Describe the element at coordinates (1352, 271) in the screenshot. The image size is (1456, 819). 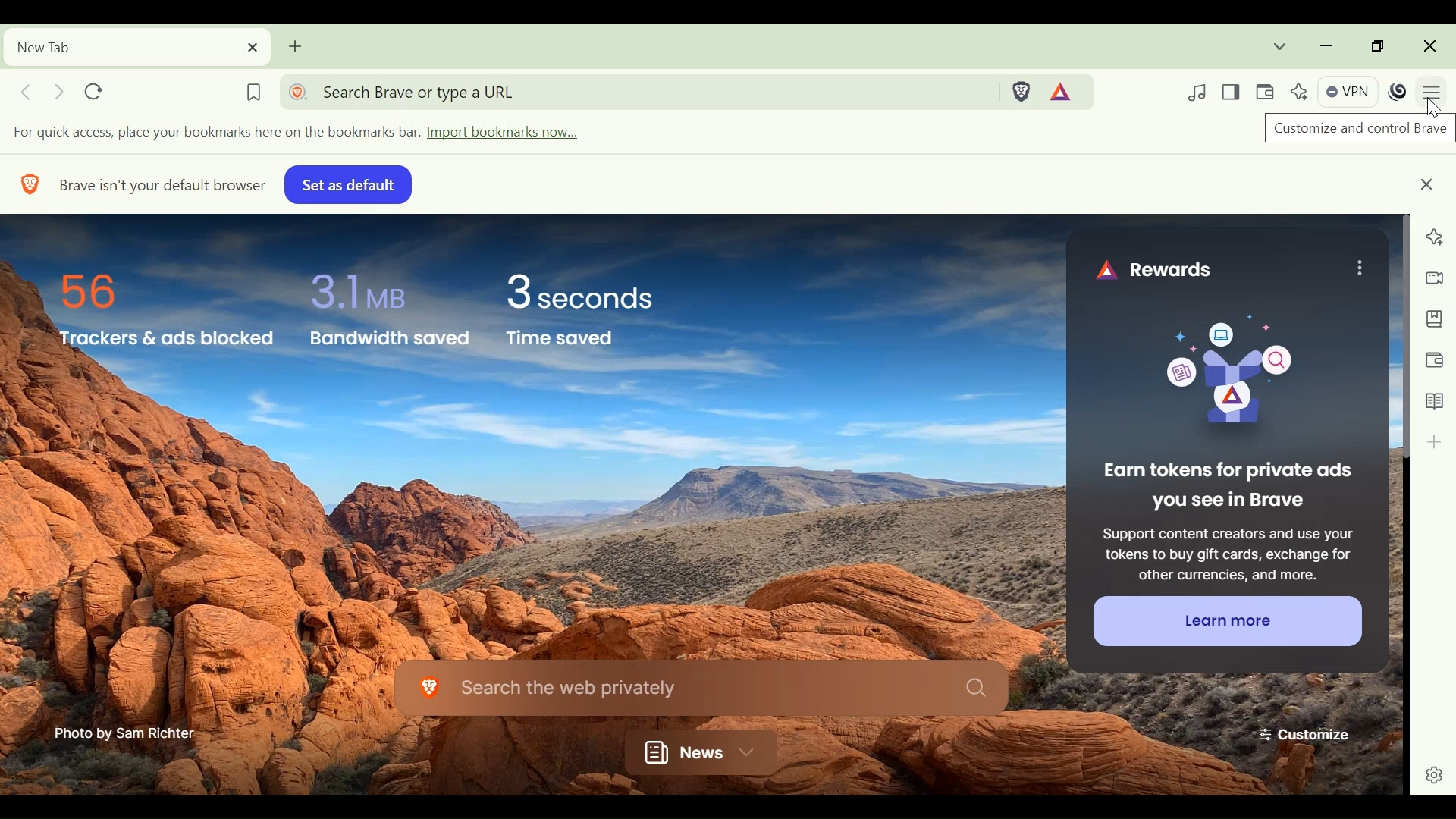
I see `MENU` at that location.